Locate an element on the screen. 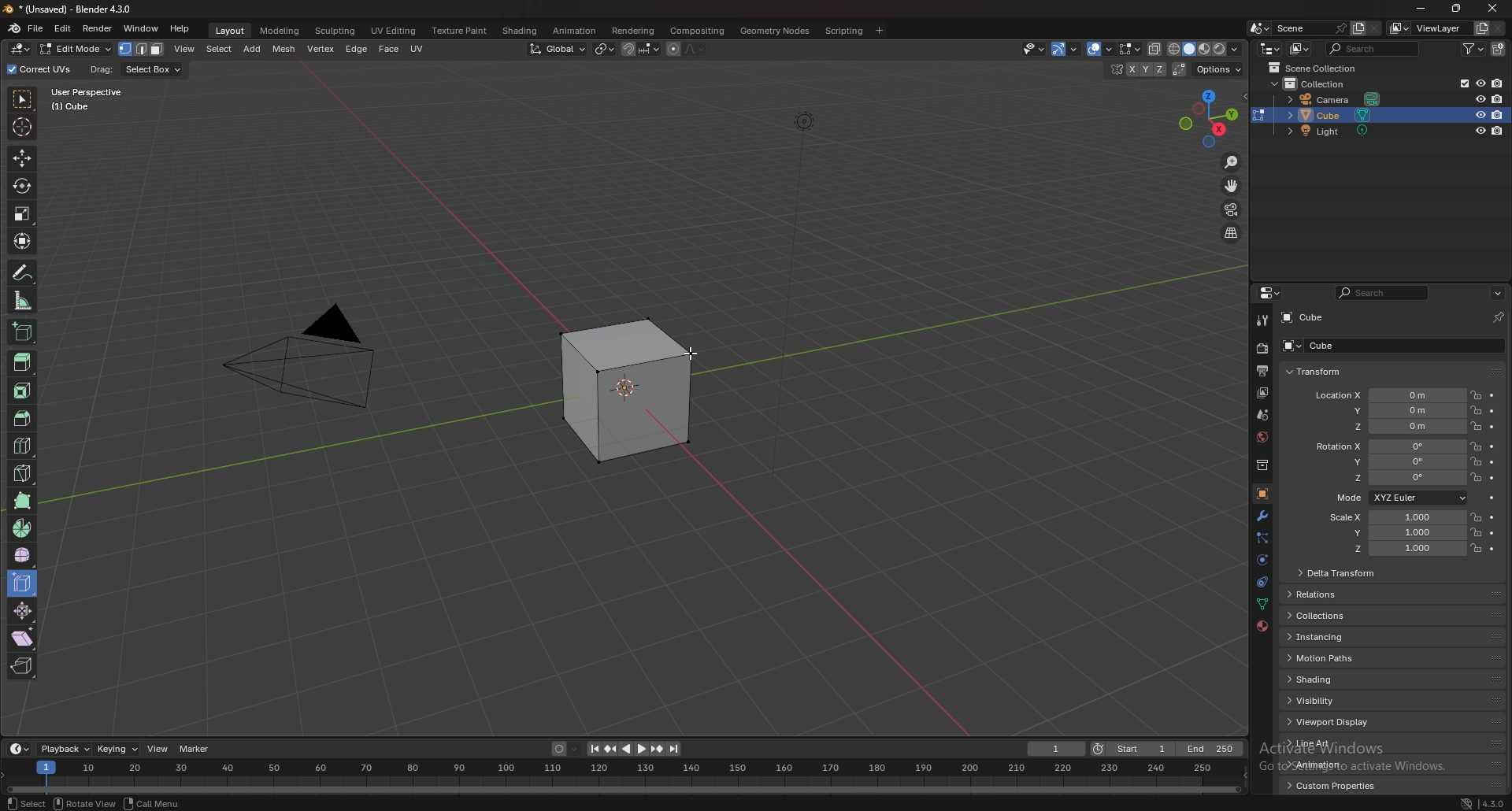 This screenshot has height=811, width=1512. proportional editing falloff is located at coordinates (695, 49).